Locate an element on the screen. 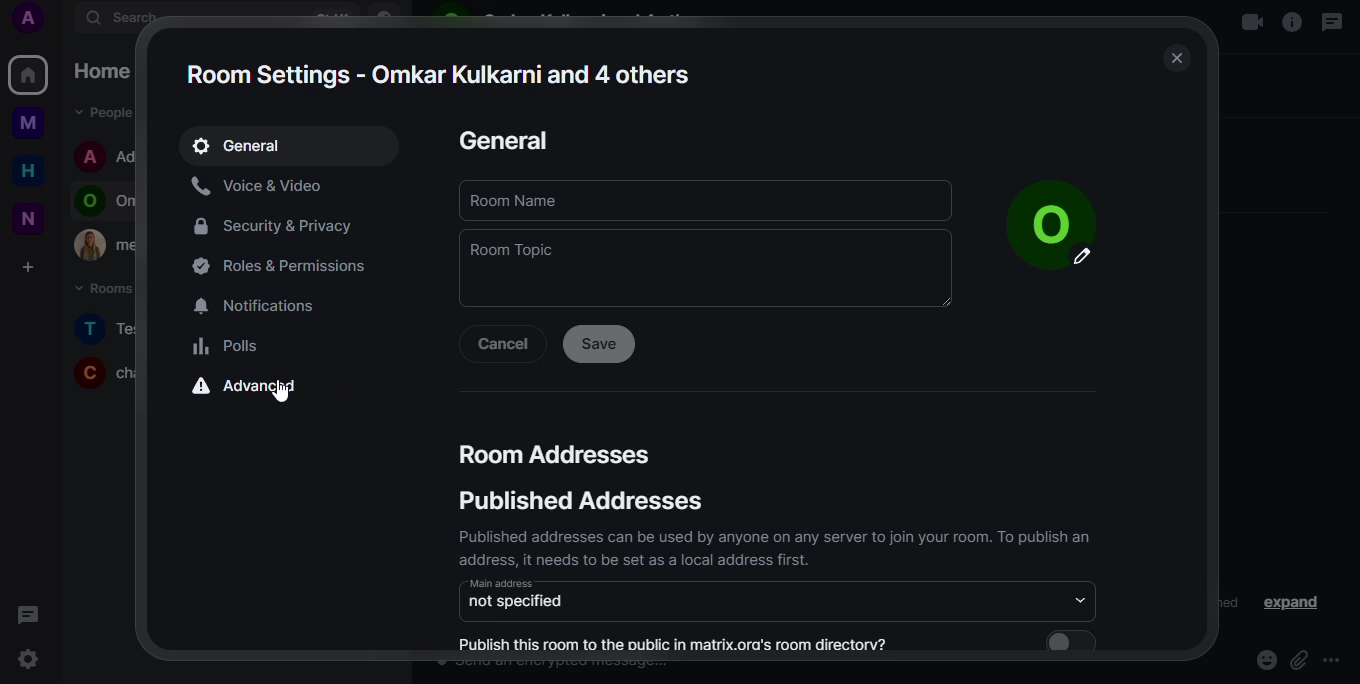  polls is located at coordinates (230, 346).